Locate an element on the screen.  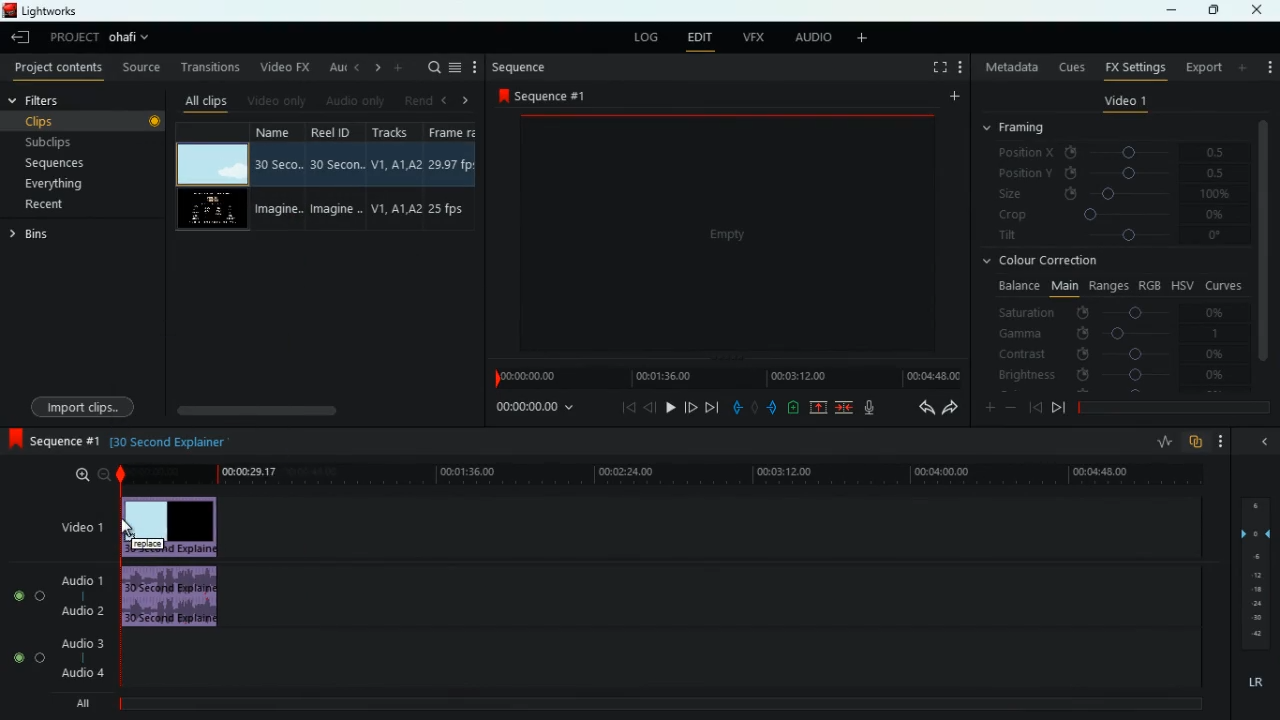
all clips is located at coordinates (203, 101).